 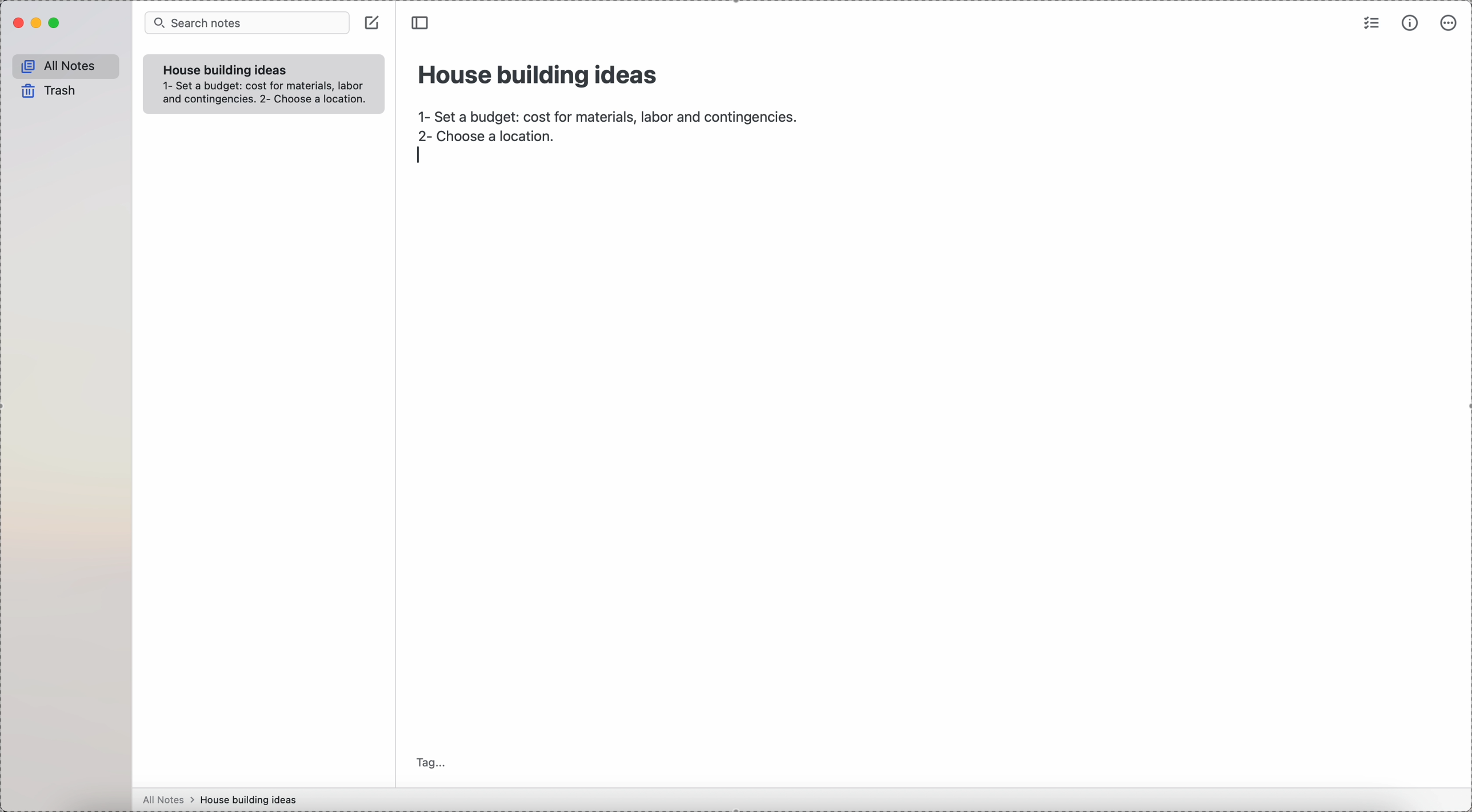 What do you see at coordinates (38, 25) in the screenshot?
I see `minimize Simplenote` at bounding box center [38, 25].